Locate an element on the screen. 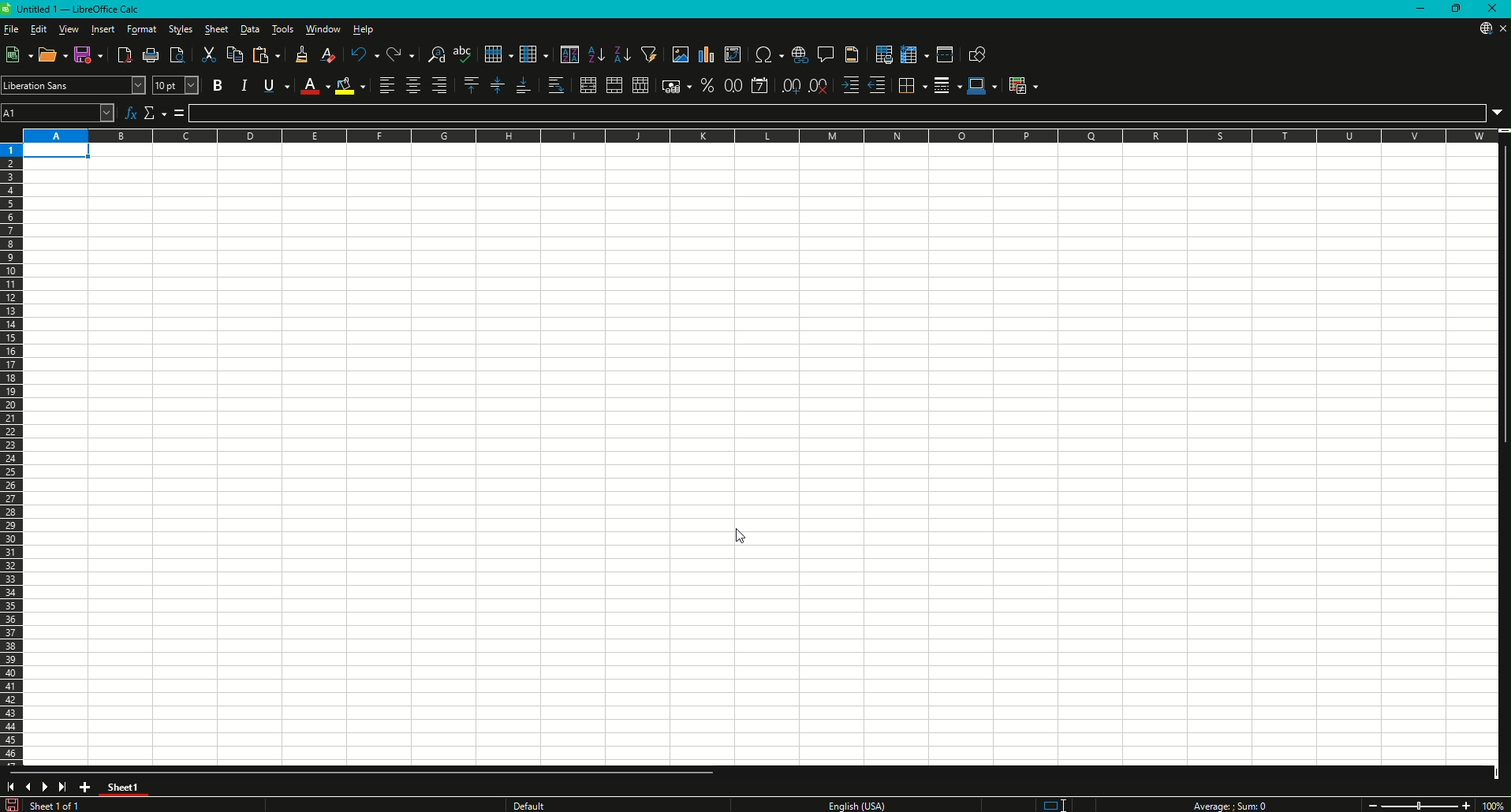  Clear Direction Formatting is located at coordinates (329, 54).